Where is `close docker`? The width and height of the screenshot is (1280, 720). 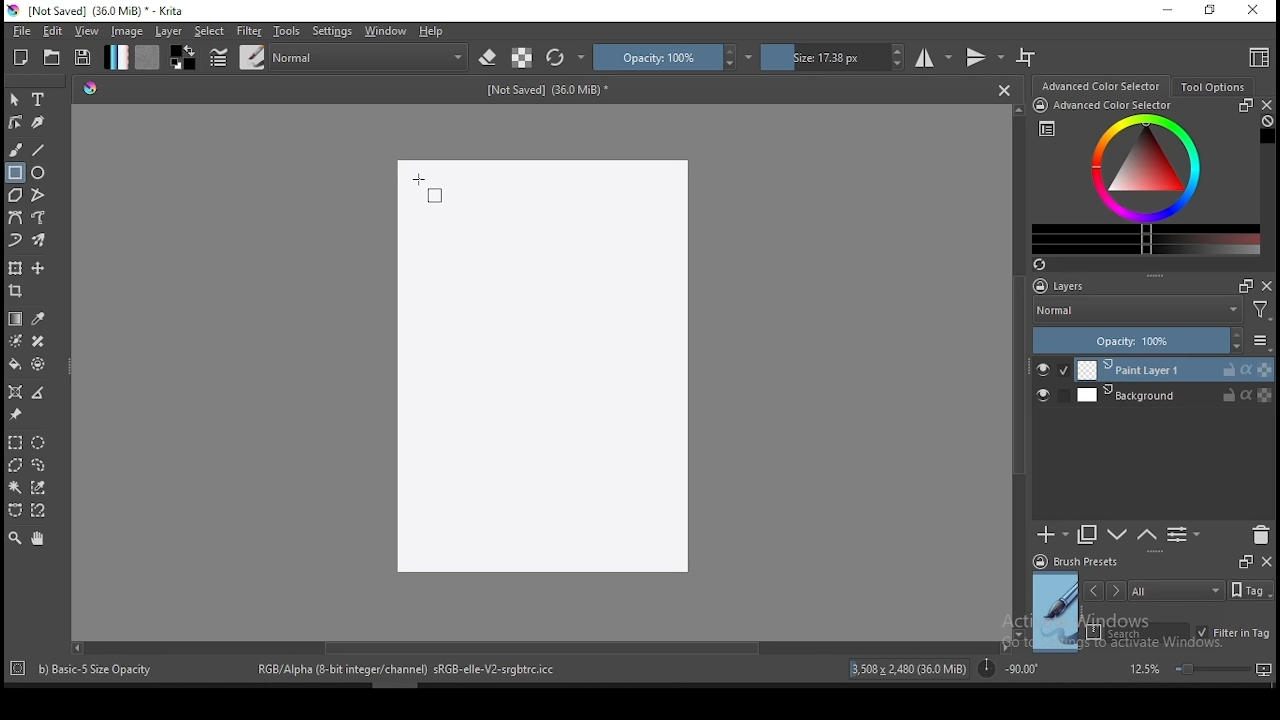
close docker is located at coordinates (1266, 105).